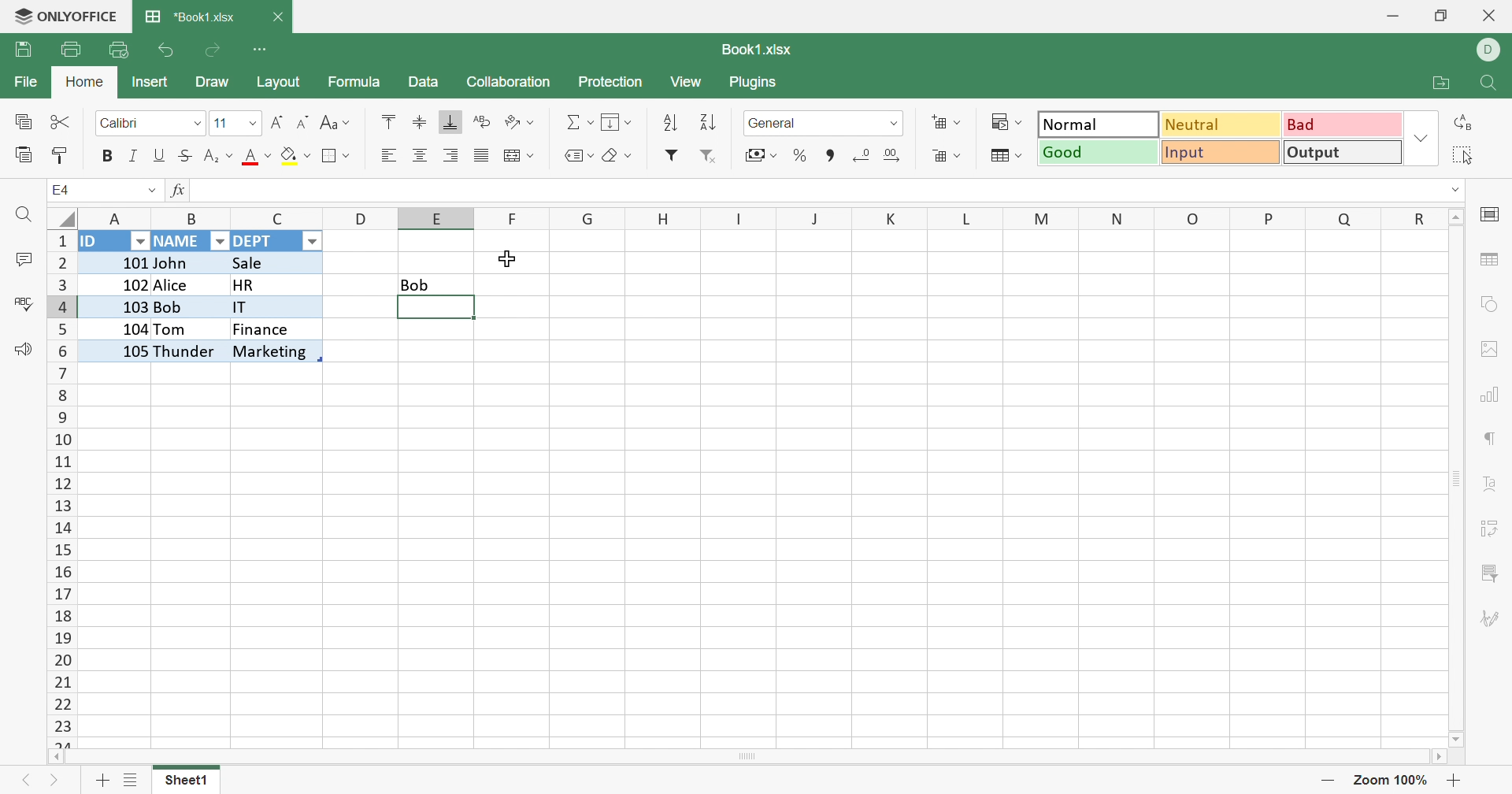 The image size is (1512, 794). What do you see at coordinates (248, 124) in the screenshot?
I see `Drop Down` at bounding box center [248, 124].